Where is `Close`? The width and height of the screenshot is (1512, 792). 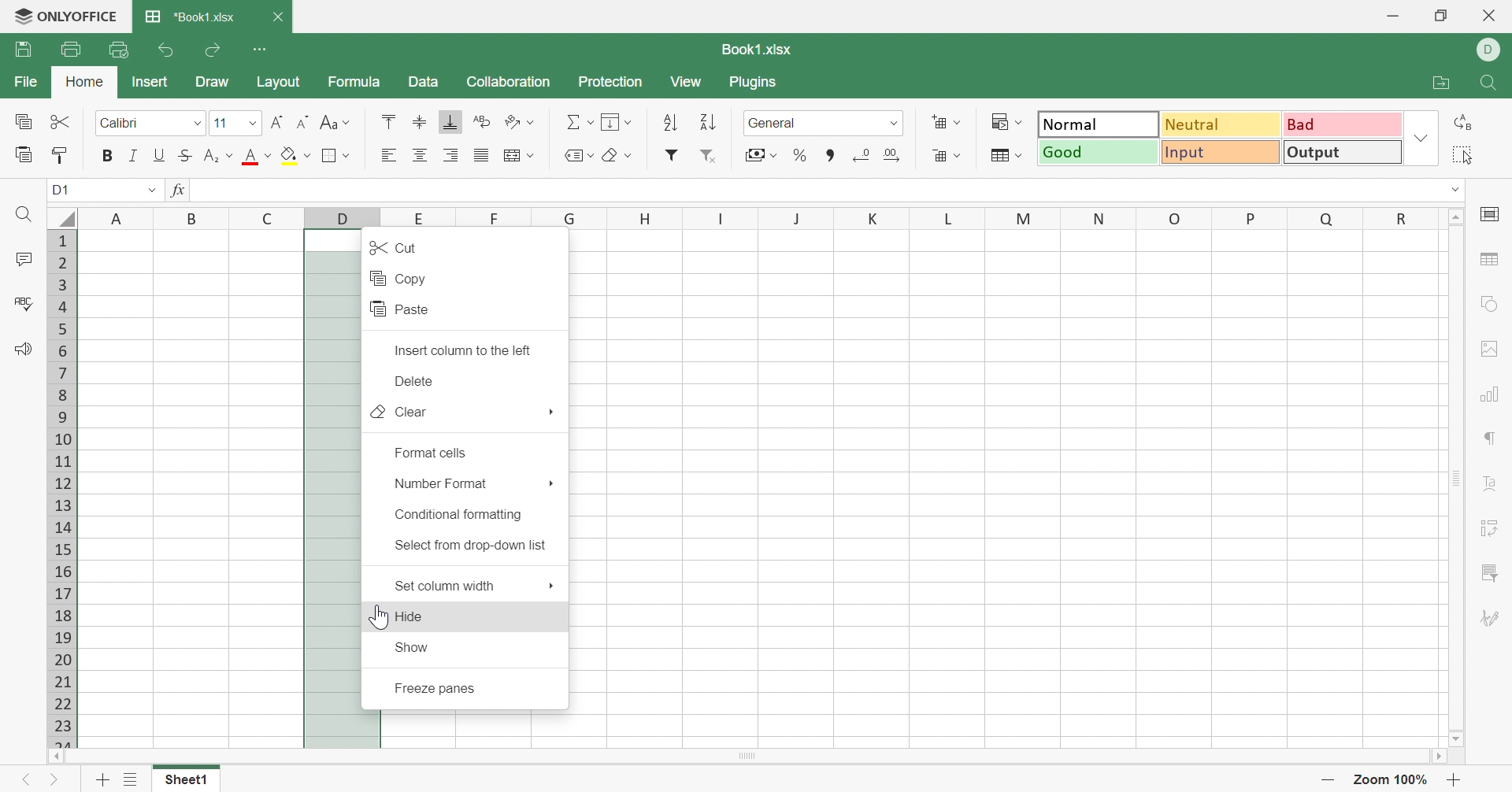
Close is located at coordinates (1491, 18).